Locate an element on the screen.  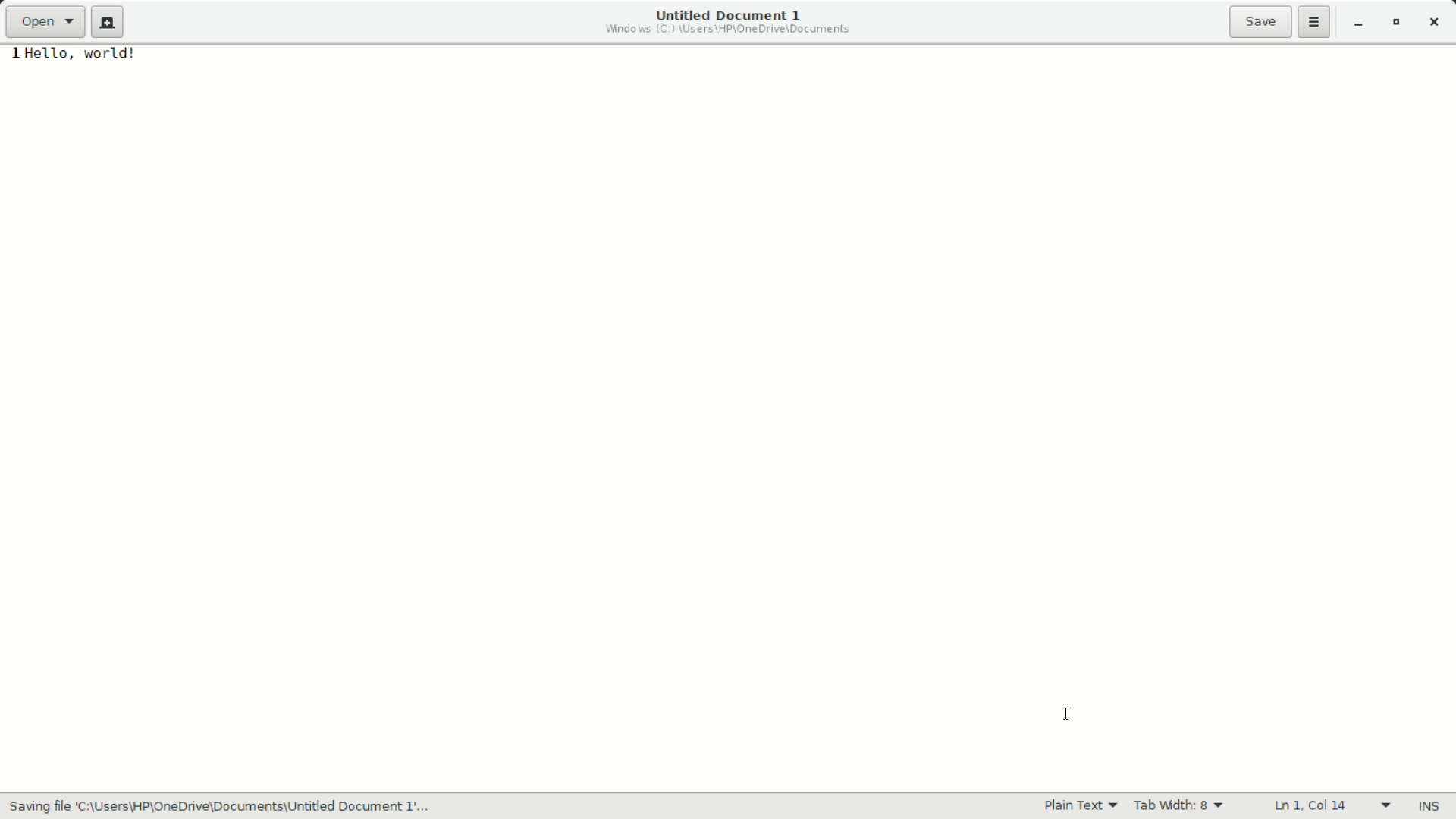
Untitled Document 1 is located at coordinates (721, 14).